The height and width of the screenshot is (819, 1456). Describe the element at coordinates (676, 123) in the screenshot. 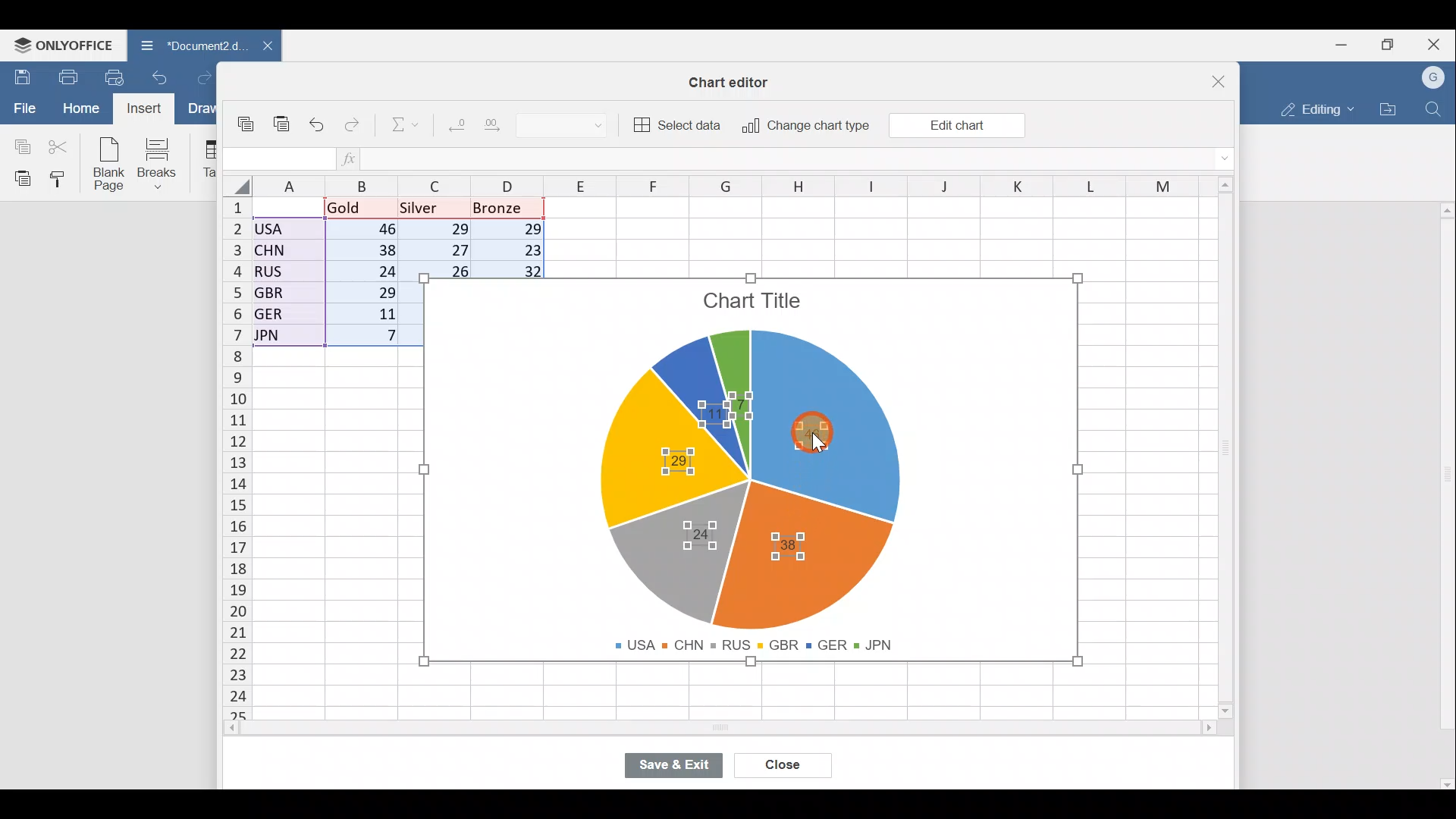

I see `Select data` at that location.